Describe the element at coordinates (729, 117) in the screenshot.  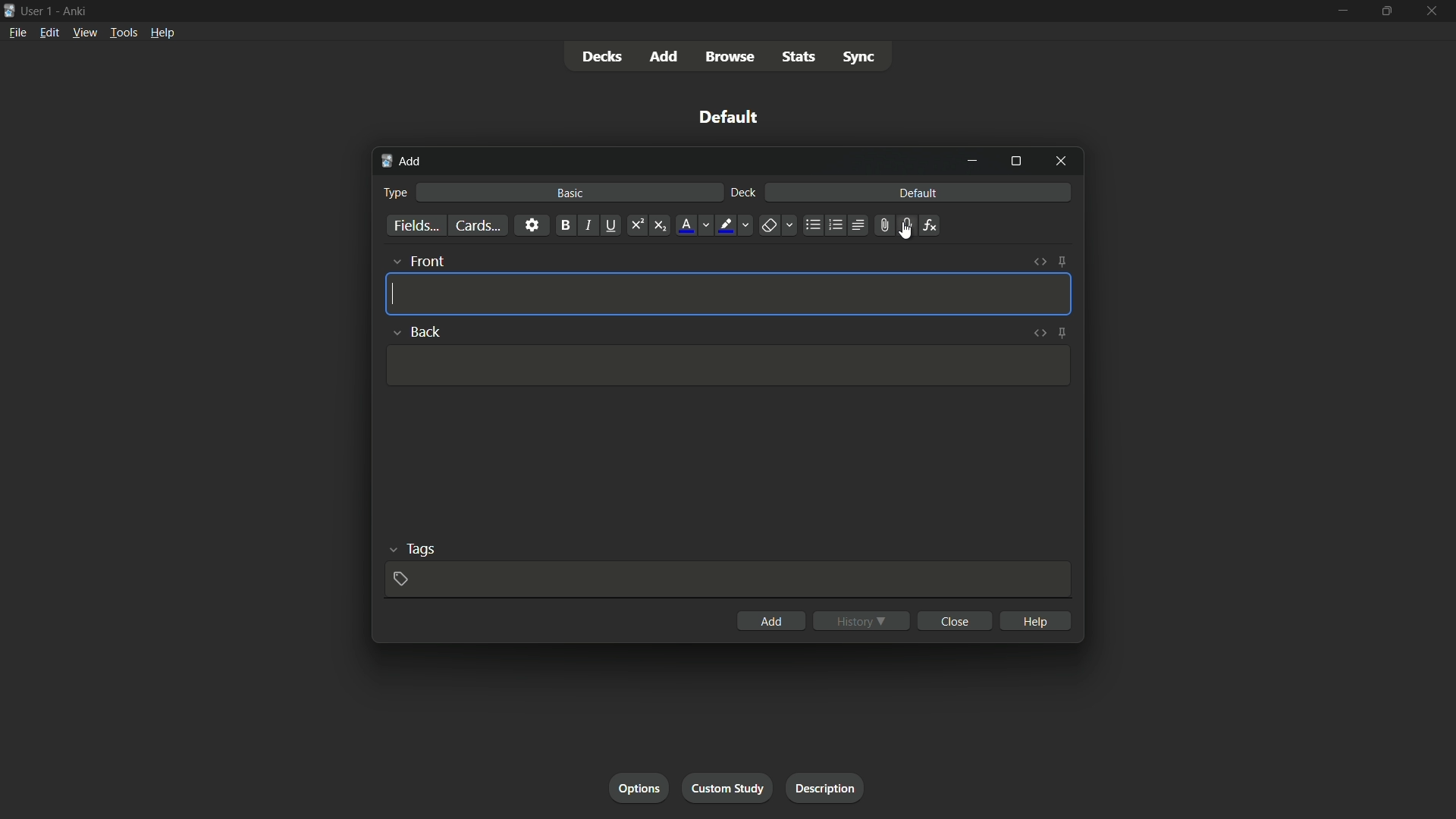
I see `default` at that location.